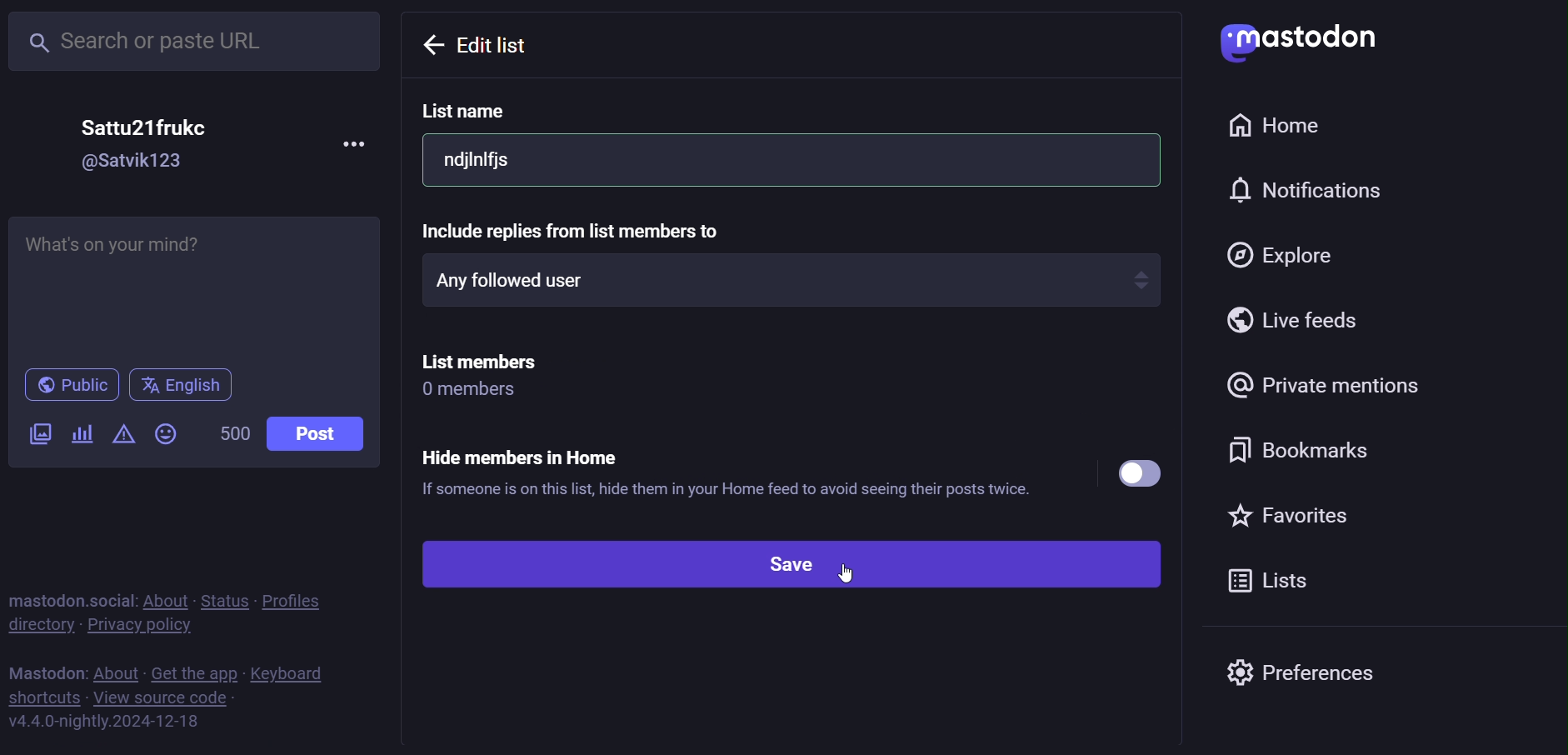 The height and width of the screenshot is (755, 1568). What do you see at coordinates (124, 437) in the screenshot?
I see `content warning` at bounding box center [124, 437].